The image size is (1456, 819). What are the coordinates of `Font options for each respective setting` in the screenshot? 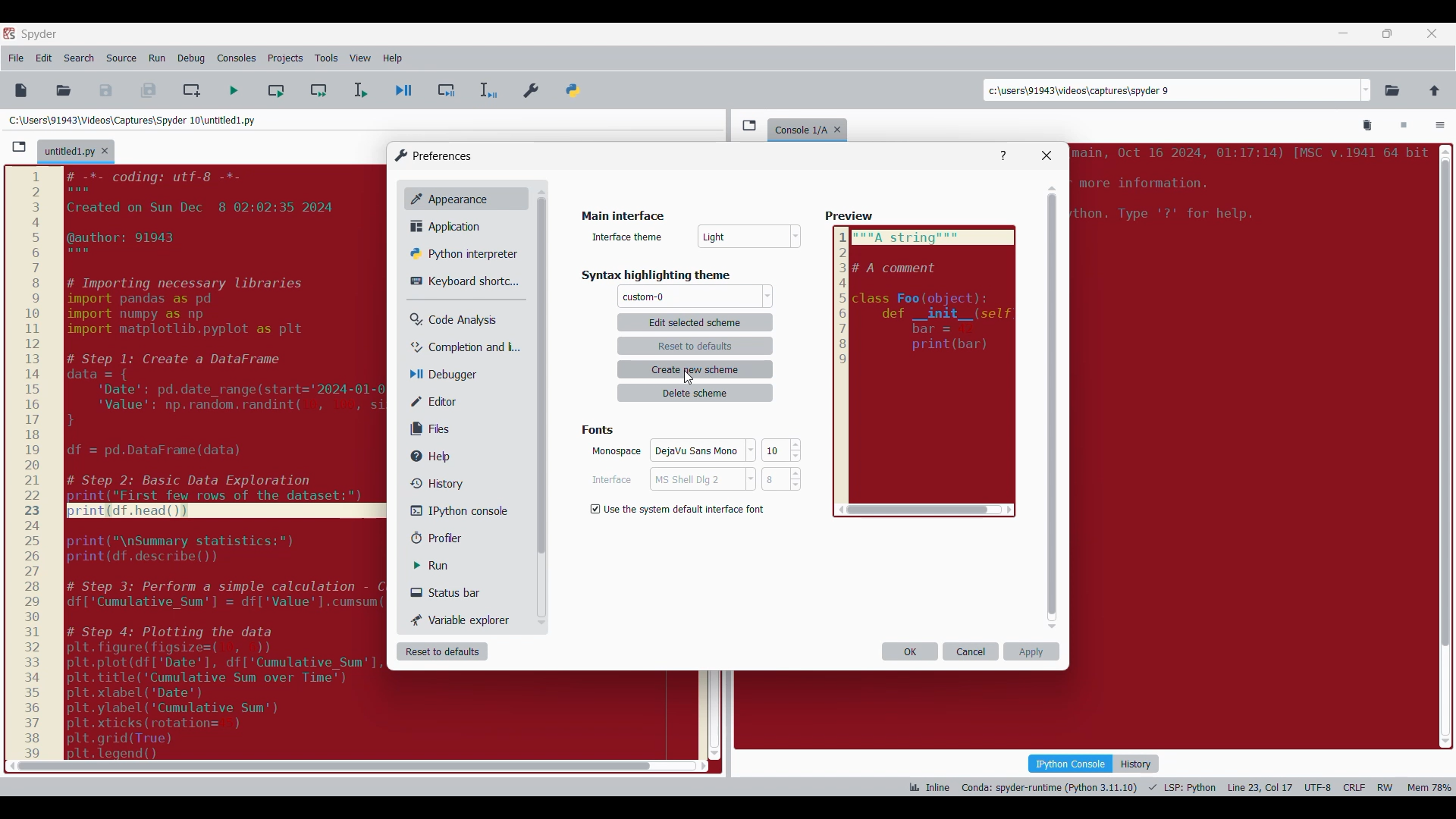 It's located at (703, 464).